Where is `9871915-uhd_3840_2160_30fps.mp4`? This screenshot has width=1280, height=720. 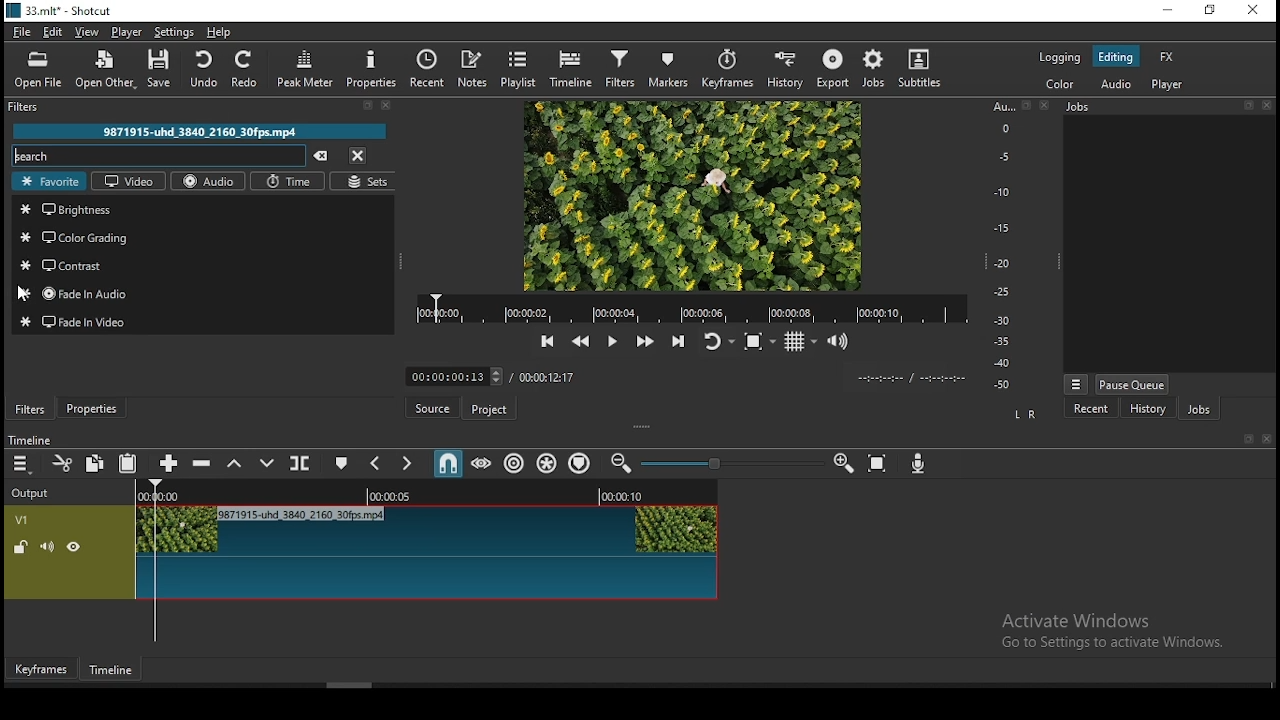 9871915-uhd_3840_2160_30fps.mp4 is located at coordinates (195, 132).